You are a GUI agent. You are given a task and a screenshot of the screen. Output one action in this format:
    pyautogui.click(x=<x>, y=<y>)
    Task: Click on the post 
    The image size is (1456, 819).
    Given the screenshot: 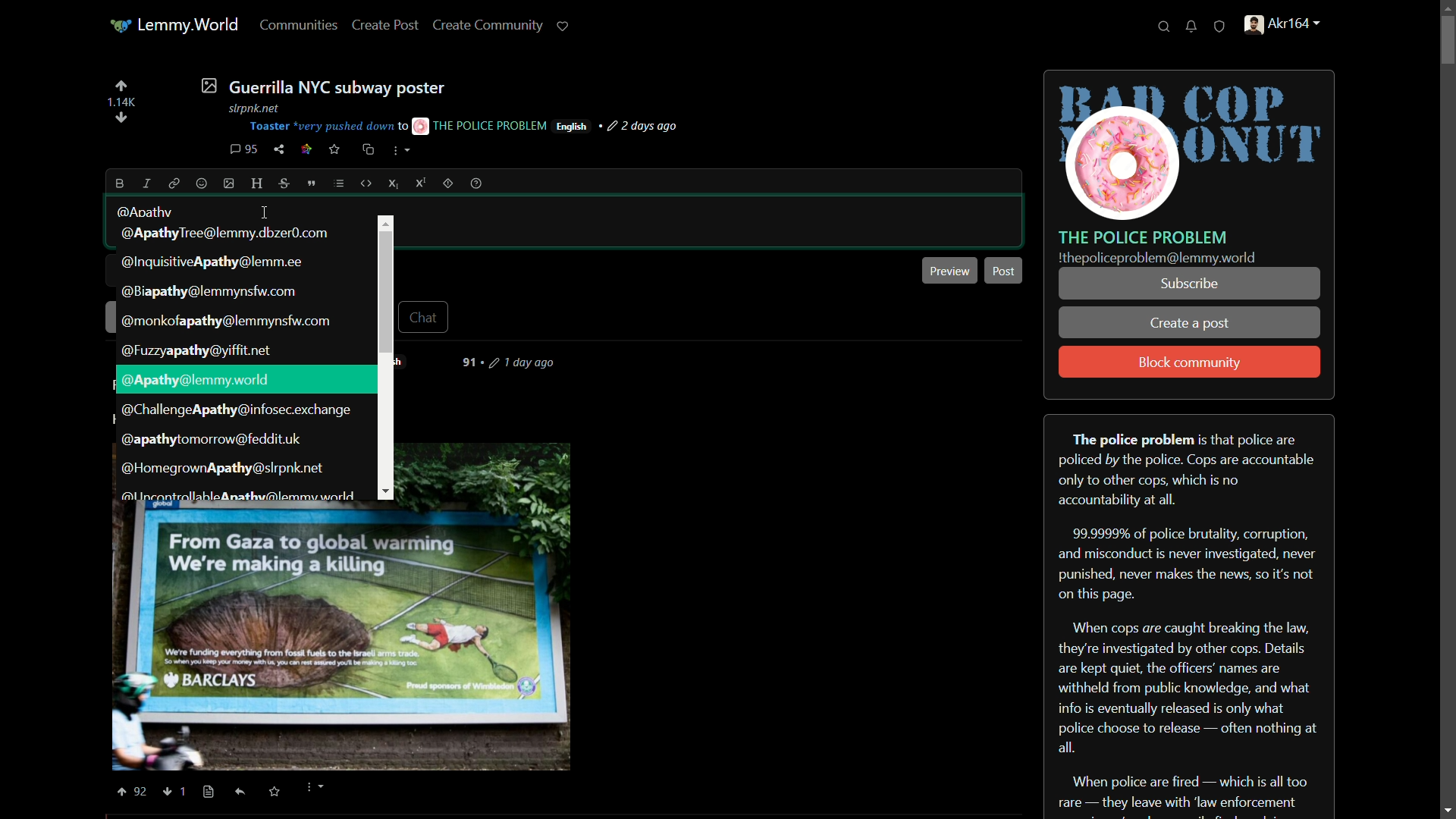 What is the action you would take?
    pyautogui.click(x=1006, y=269)
    